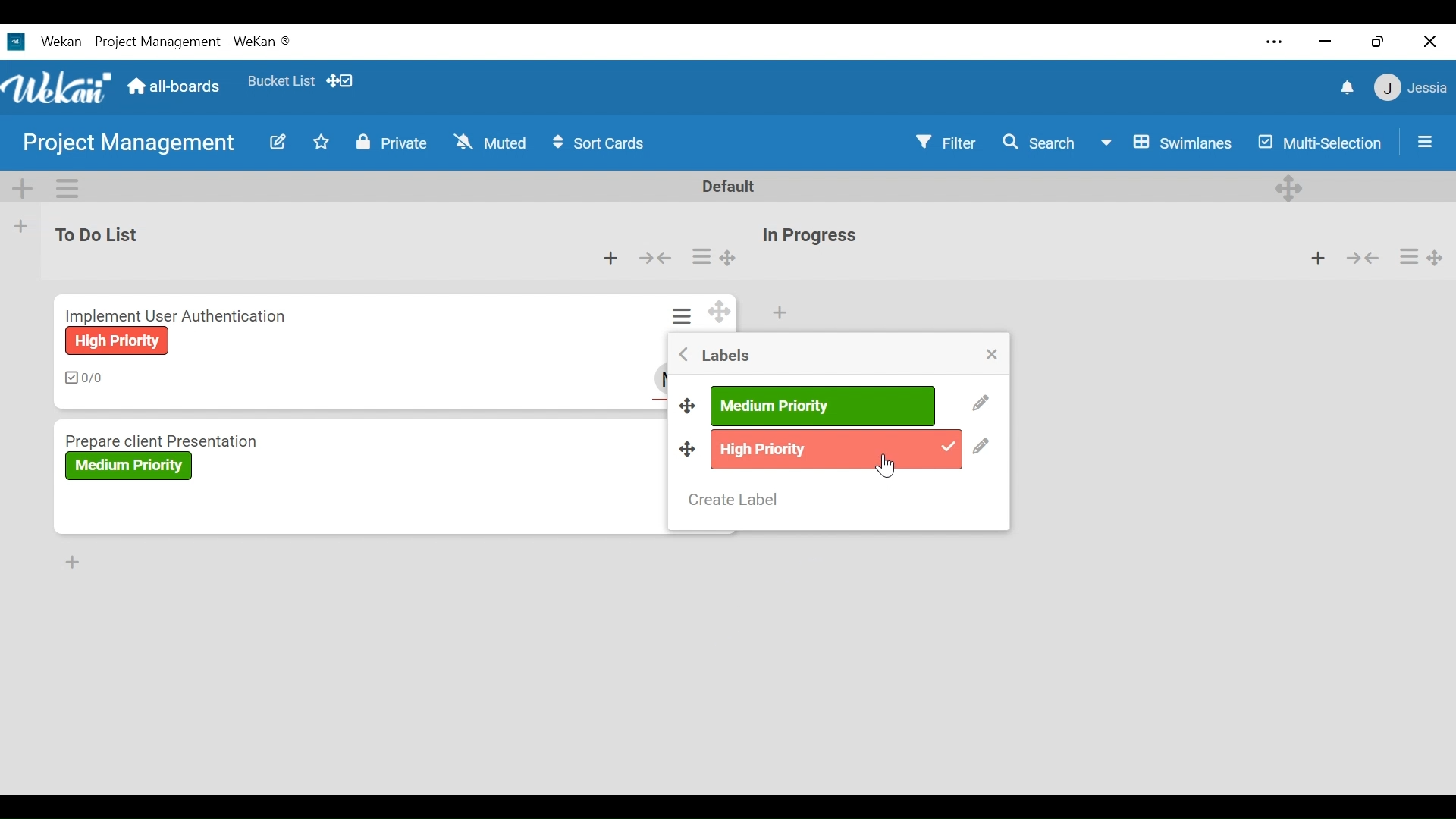  What do you see at coordinates (1426, 140) in the screenshot?
I see `Show/Hide Sidepane` at bounding box center [1426, 140].